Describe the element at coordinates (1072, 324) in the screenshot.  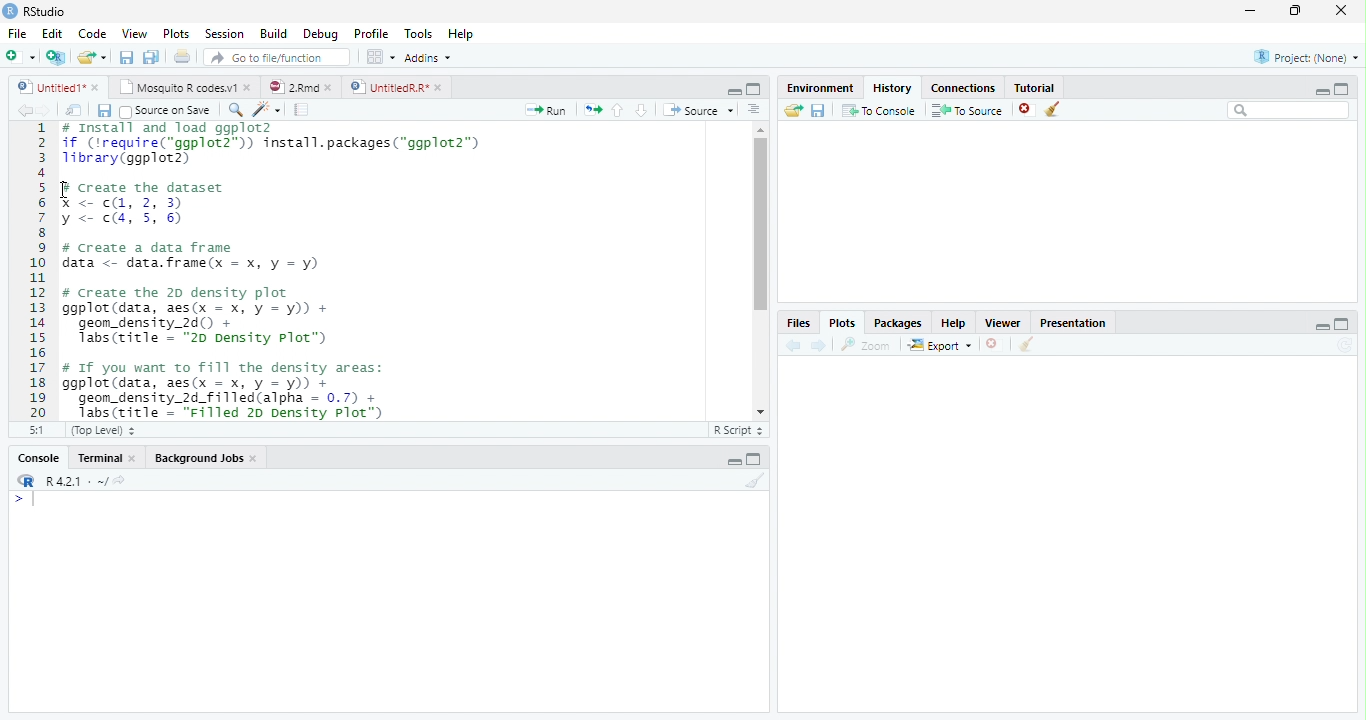
I see `Presentatior` at that location.